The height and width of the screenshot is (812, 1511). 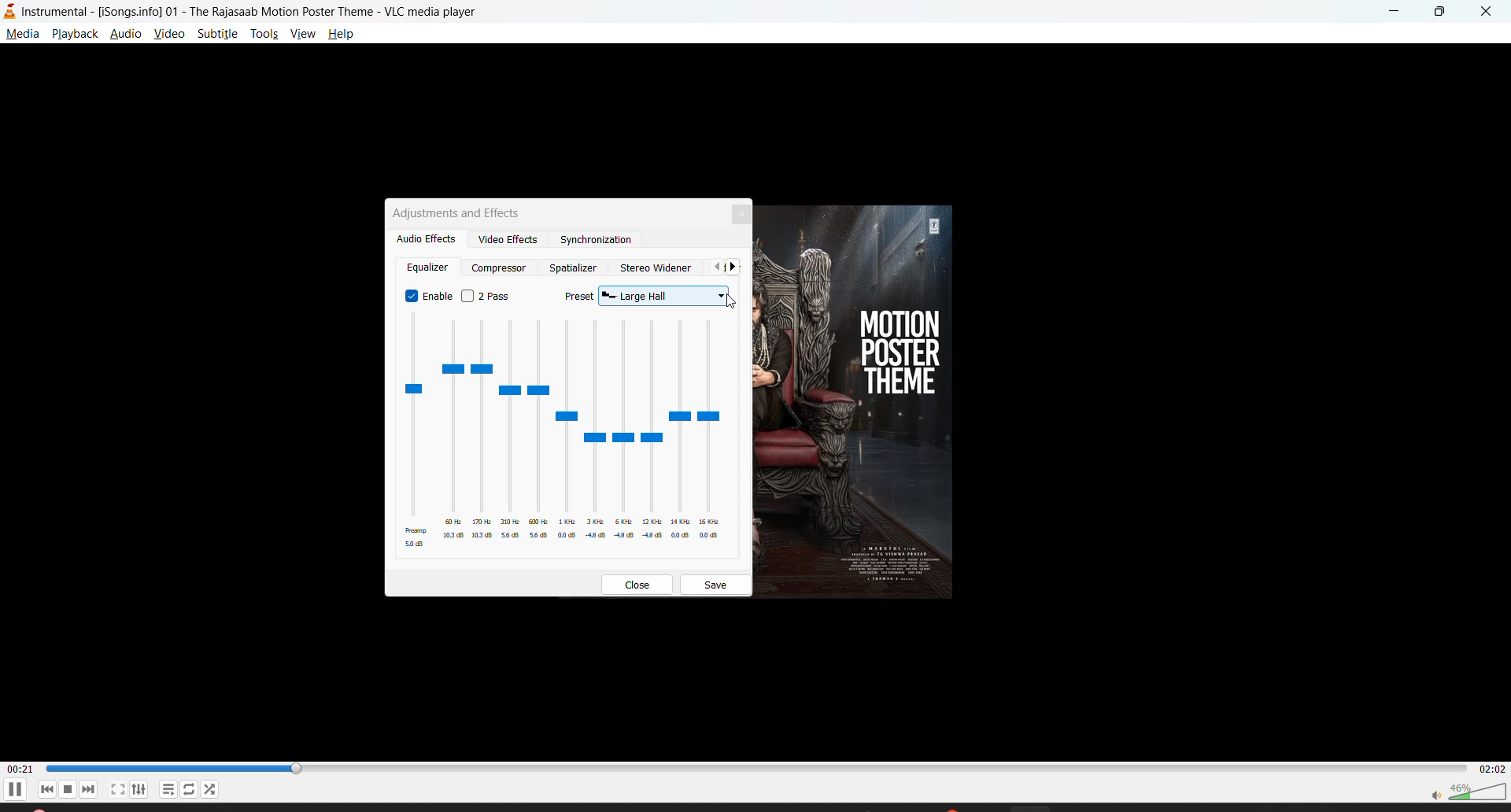 What do you see at coordinates (573, 268) in the screenshot?
I see `spatializer` at bounding box center [573, 268].